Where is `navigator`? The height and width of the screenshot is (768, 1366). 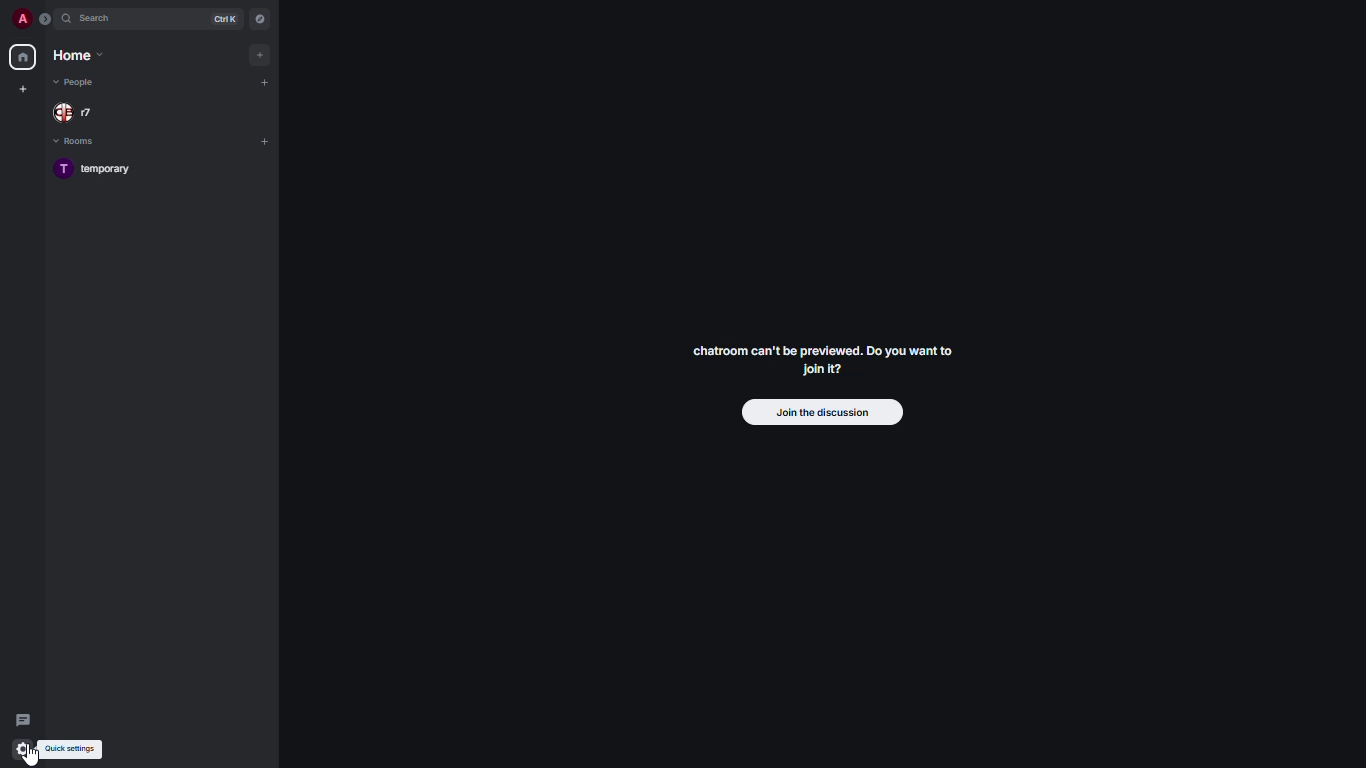 navigator is located at coordinates (261, 21).